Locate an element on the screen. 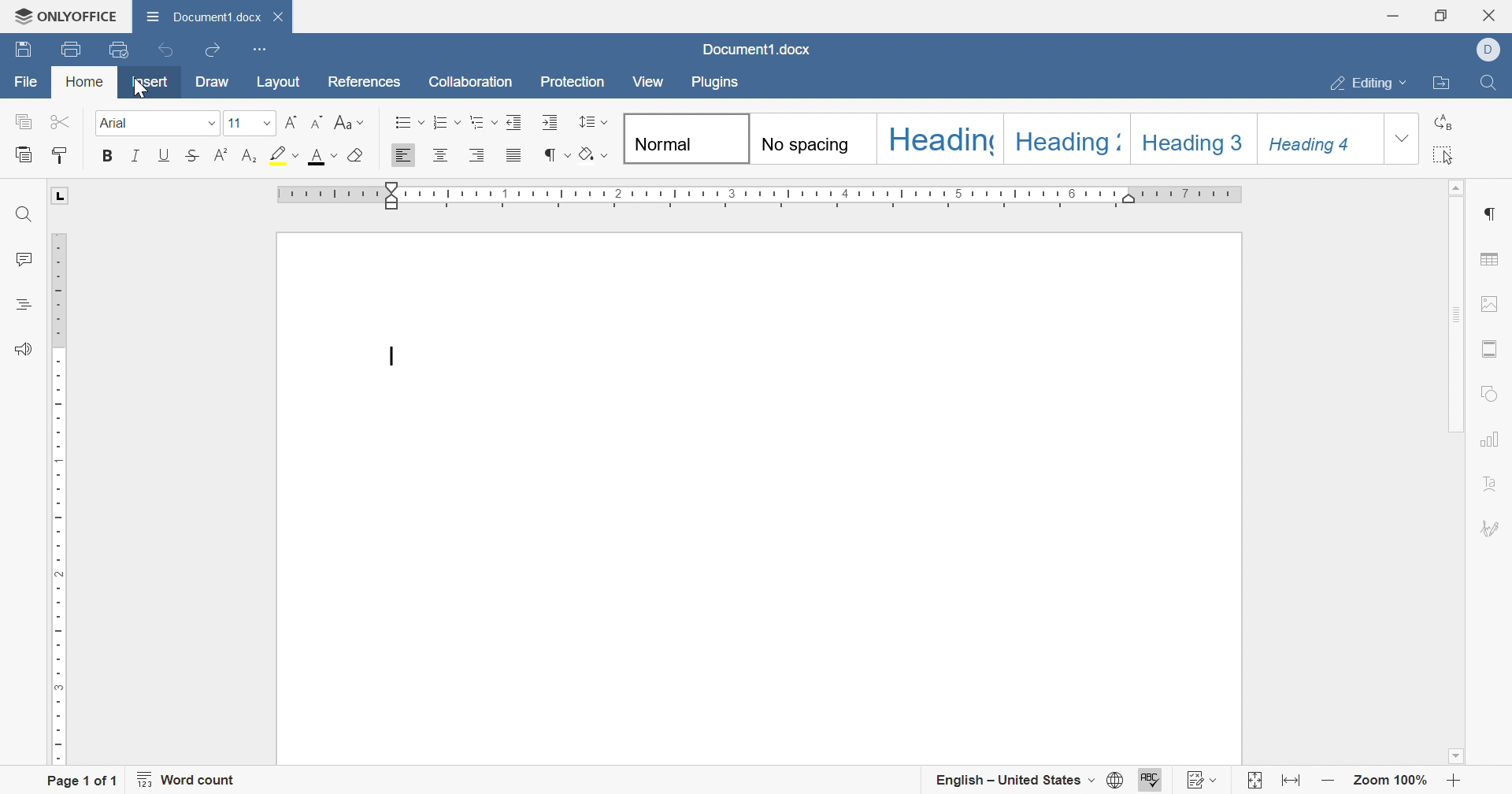 This screenshot has height=794, width=1512. Drop Down is located at coordinates (268, 122).